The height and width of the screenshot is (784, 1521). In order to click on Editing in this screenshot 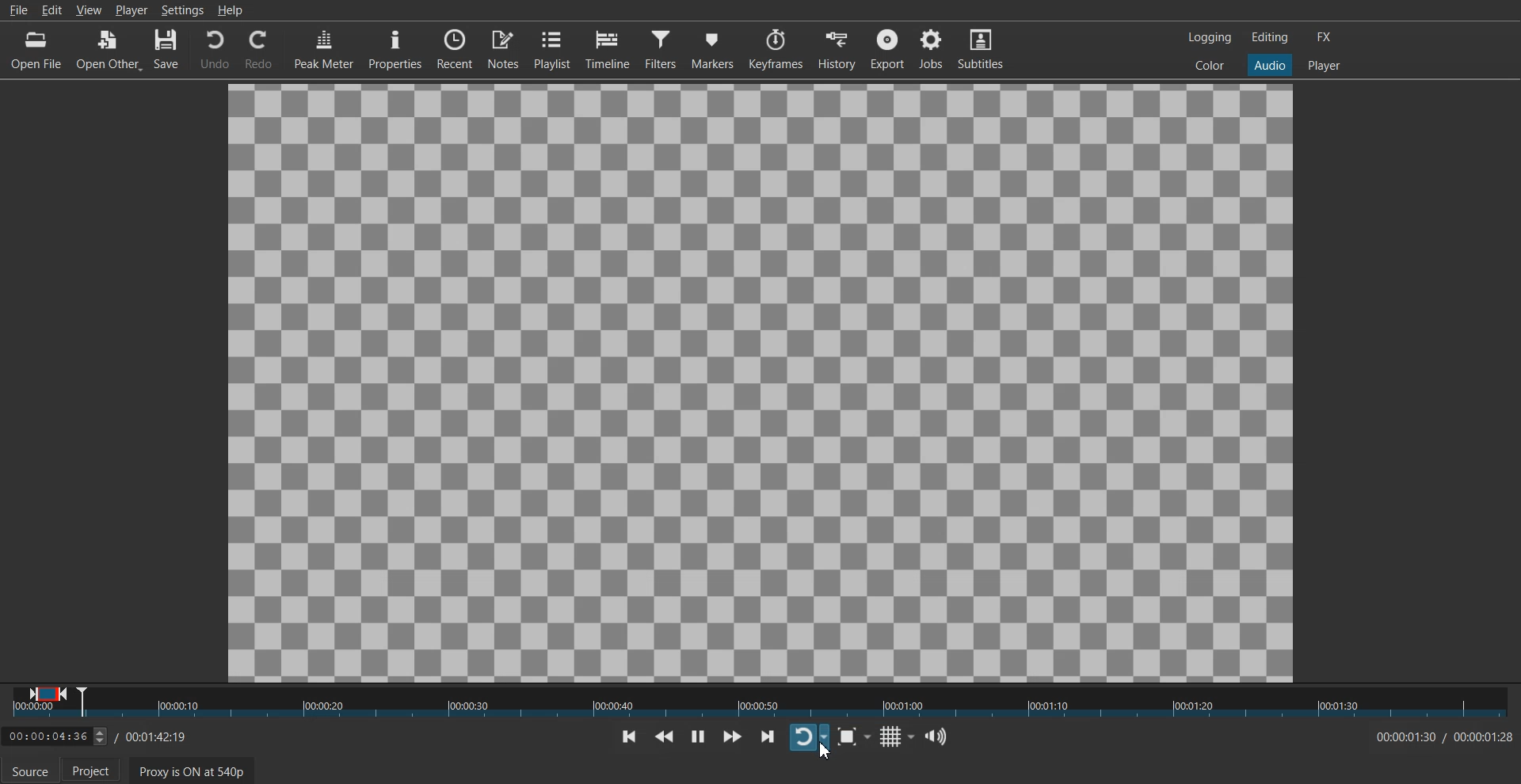, I will do `click(1270, 37)`.